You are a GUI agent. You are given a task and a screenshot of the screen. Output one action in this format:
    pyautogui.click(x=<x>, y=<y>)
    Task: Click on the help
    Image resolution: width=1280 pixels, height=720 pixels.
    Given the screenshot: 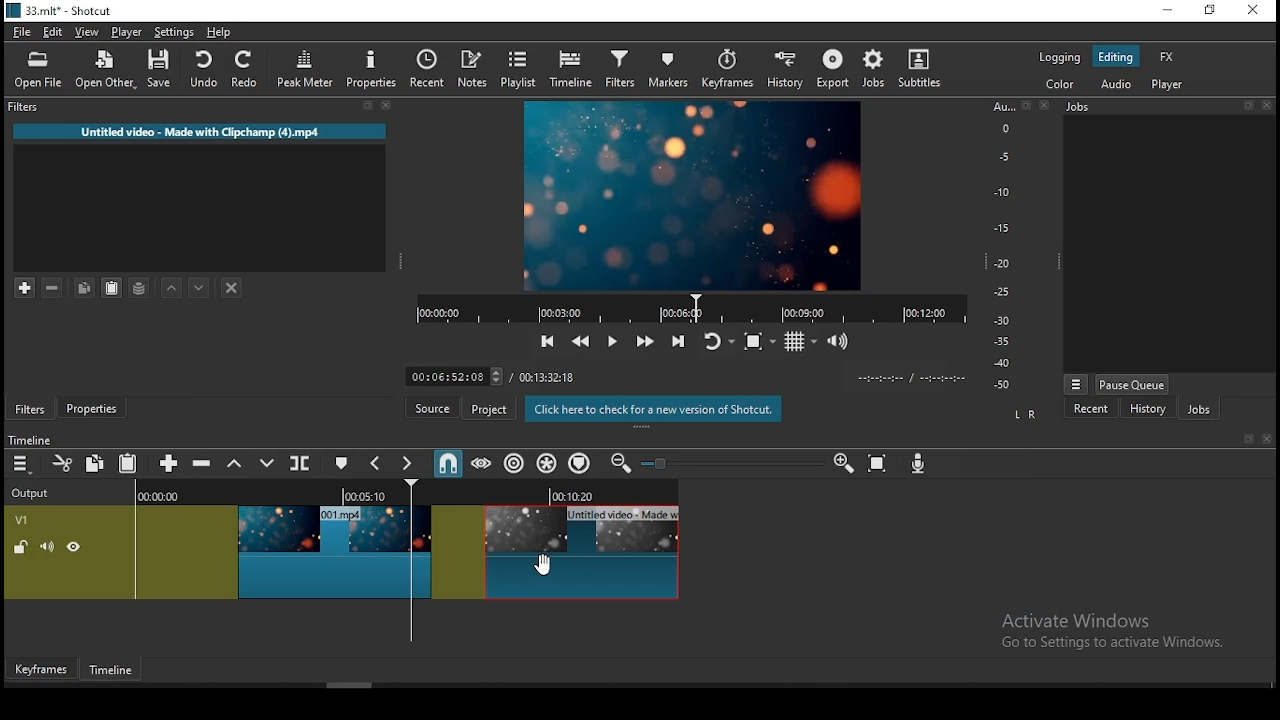 What is the action you would take?
    pyautogui.click(x=219, y=30)
    